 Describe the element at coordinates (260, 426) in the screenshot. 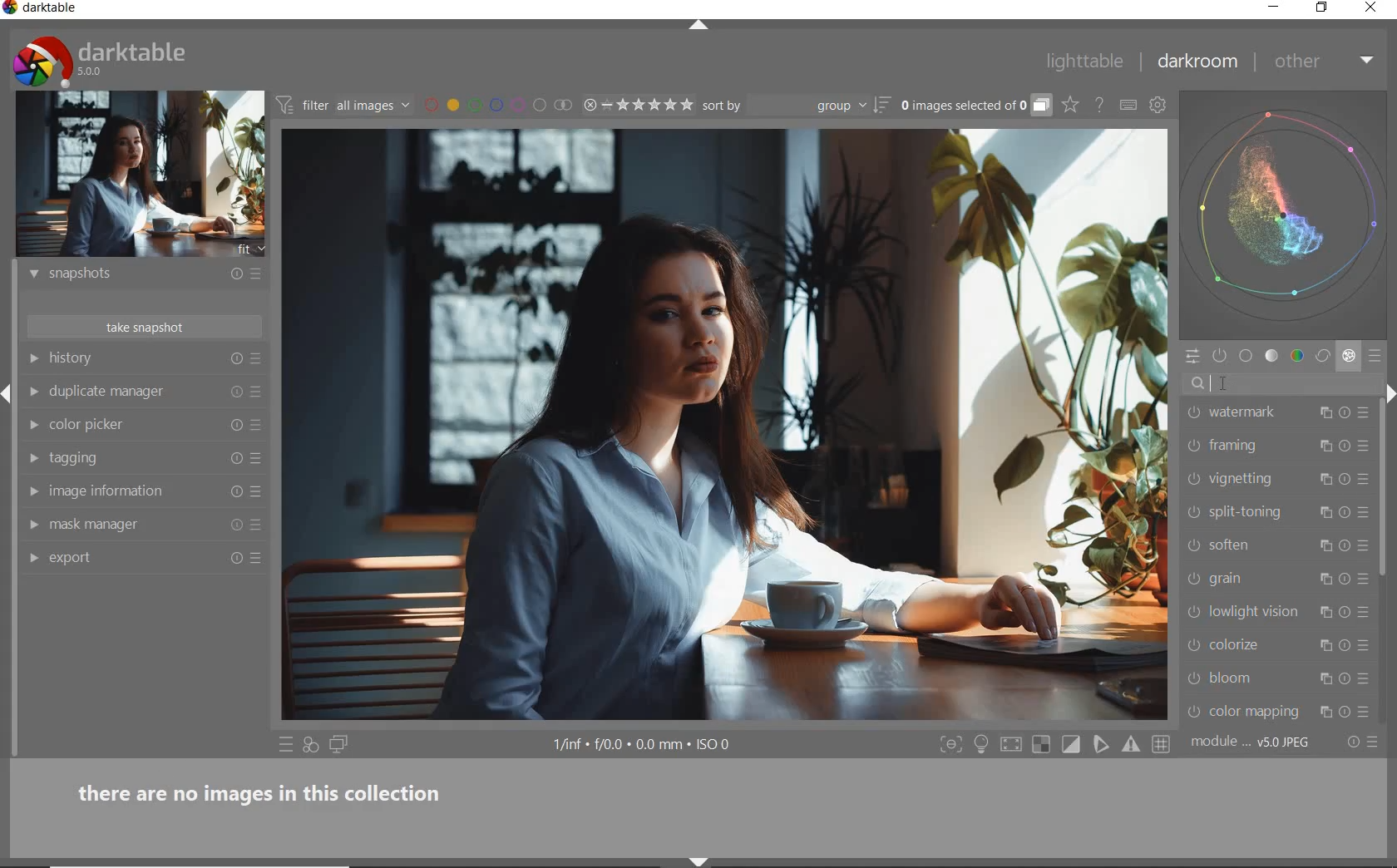

I see `preset and preferences` at that location.